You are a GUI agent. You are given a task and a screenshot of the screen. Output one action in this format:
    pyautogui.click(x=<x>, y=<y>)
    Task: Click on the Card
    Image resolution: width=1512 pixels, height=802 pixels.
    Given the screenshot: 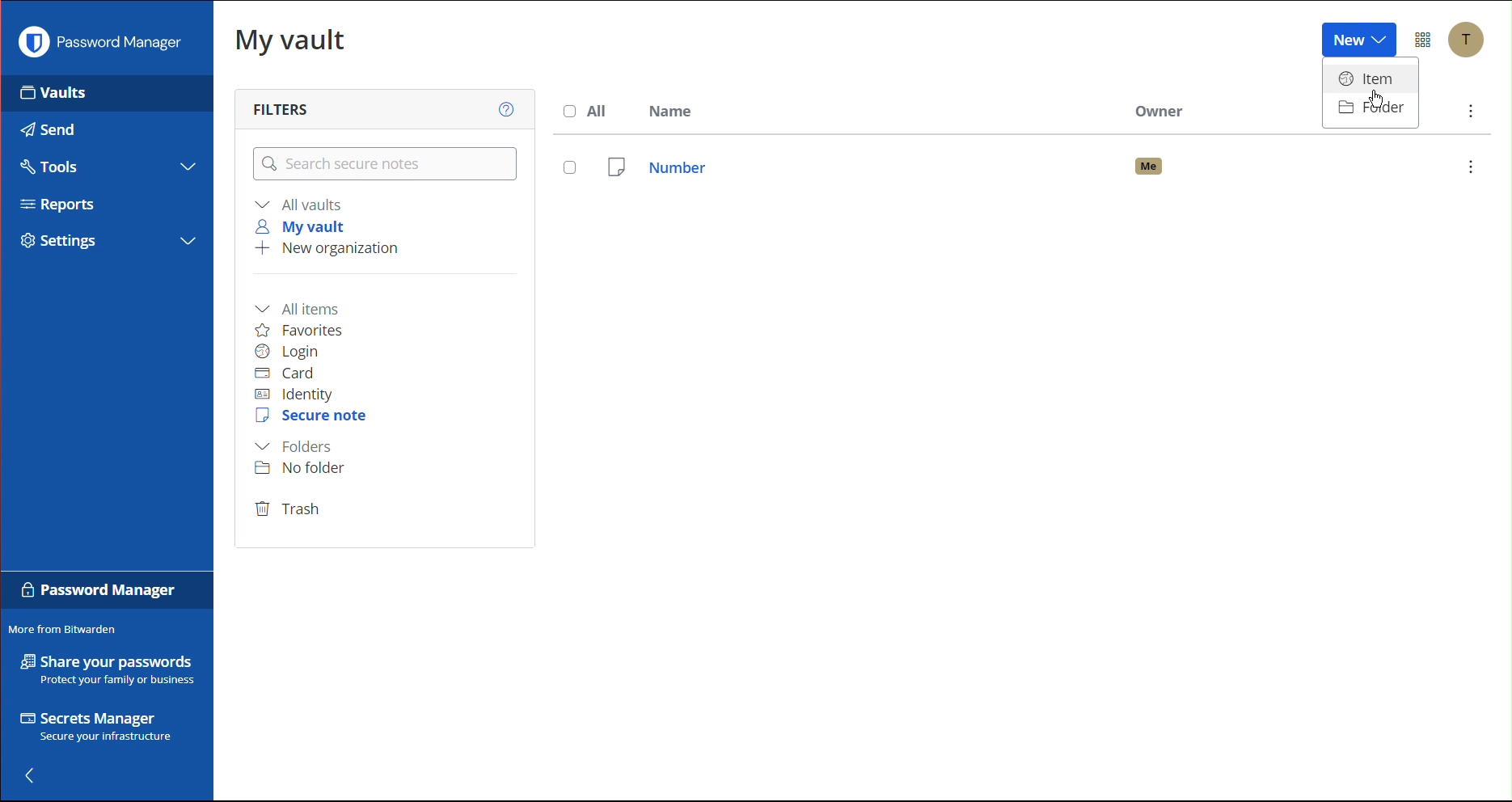 What is the action you would take?
    pyautogui.click(x=285, y=374)
    